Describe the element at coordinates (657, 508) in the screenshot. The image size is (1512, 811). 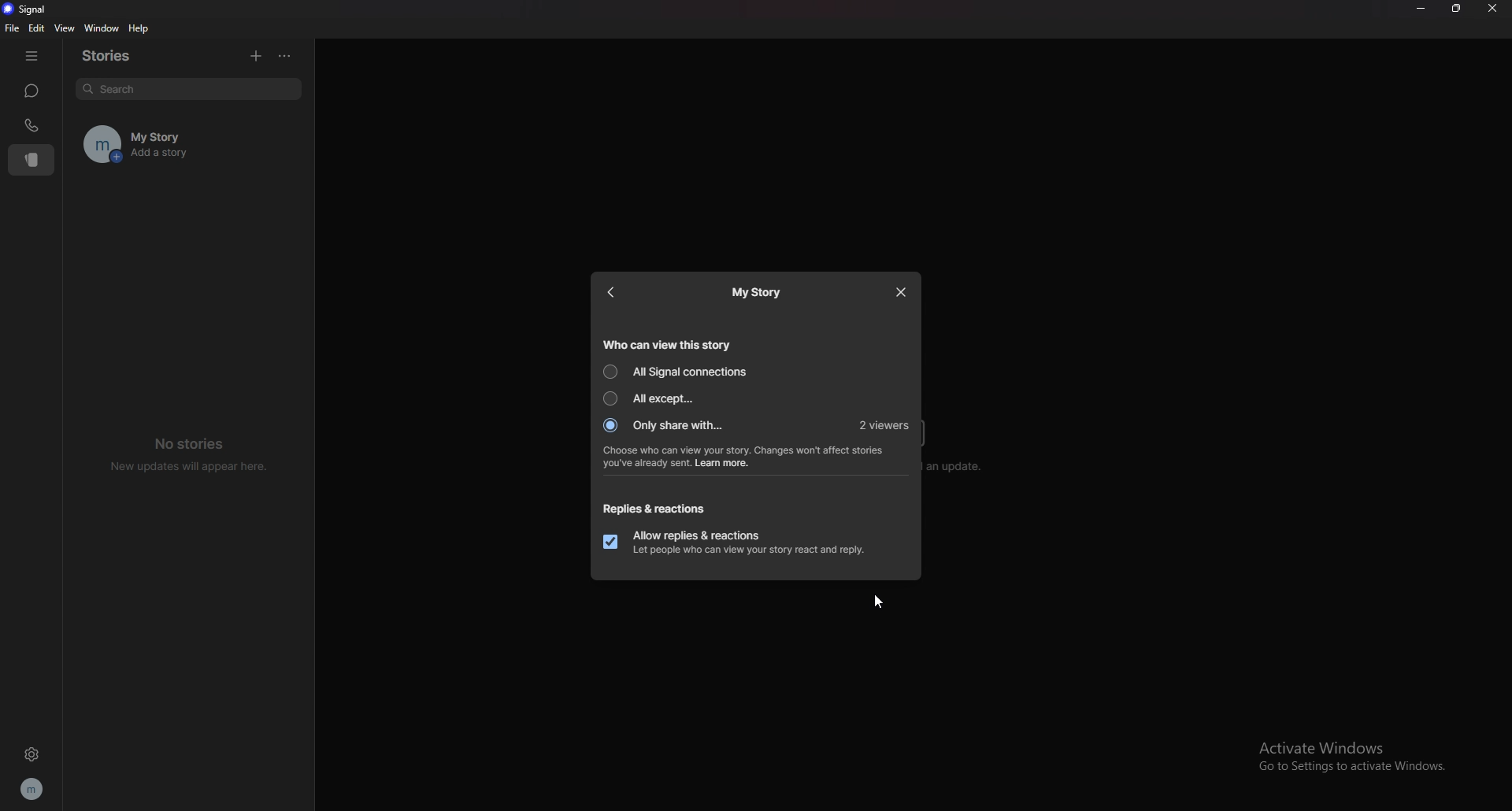
I see `replies and reactions` at that location.